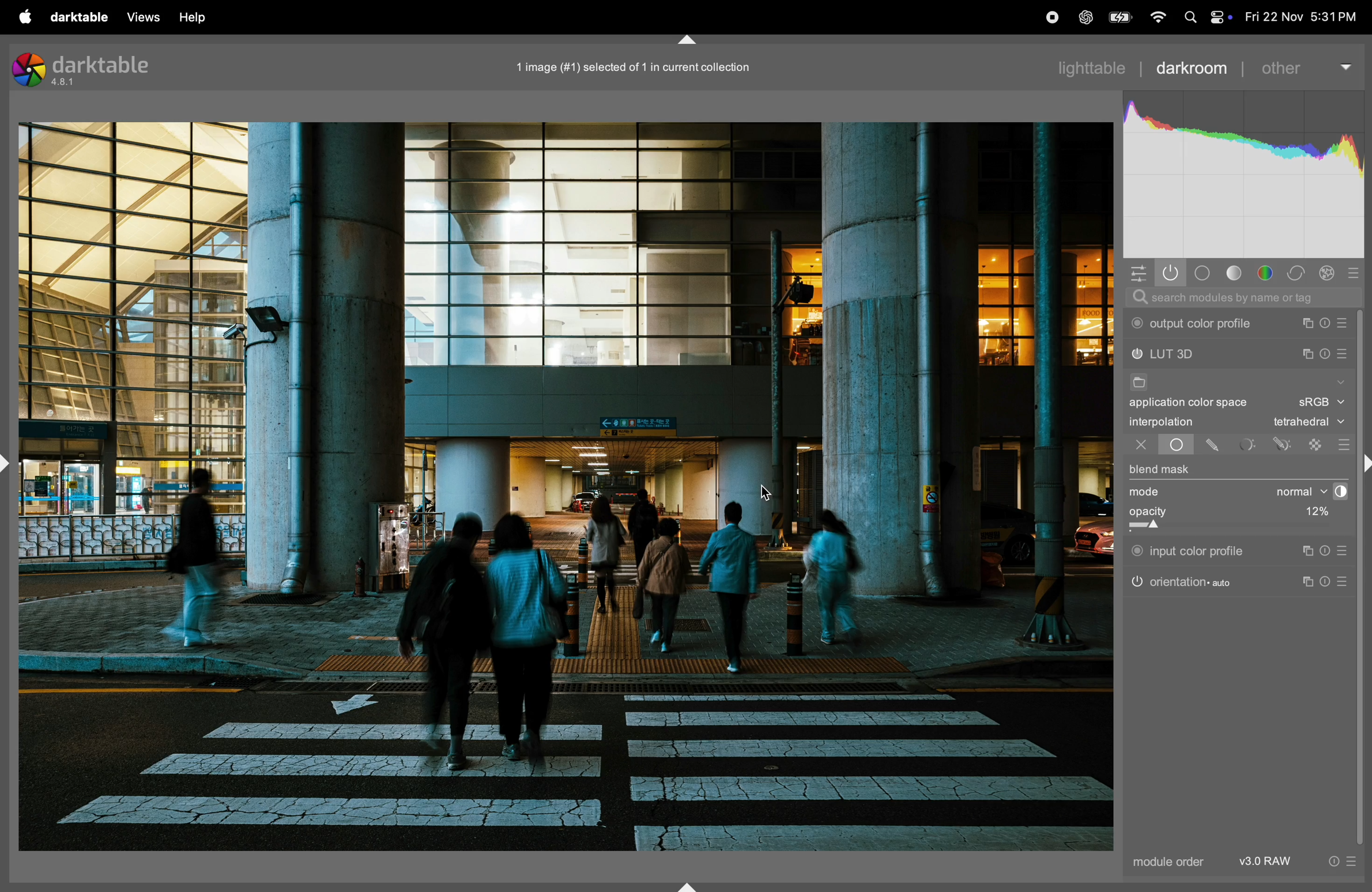 The width and height of the screenshot is (1372, 892). What do you see at coordinates (1198, 405) in the screenshot?
I see `application color space` at bounding box center [1198, 405].